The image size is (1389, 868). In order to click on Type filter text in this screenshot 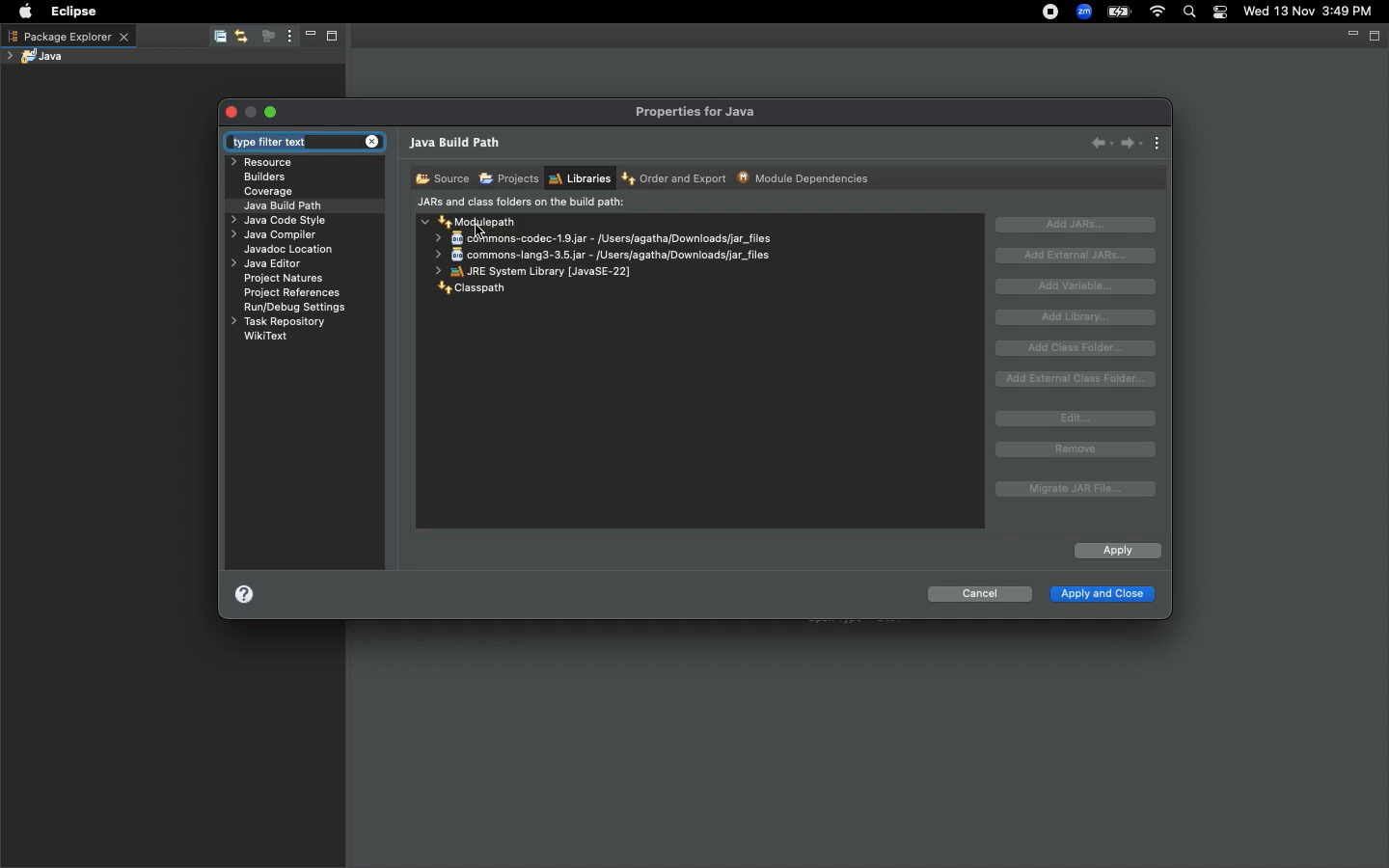, I will do `click(303, 143)`.